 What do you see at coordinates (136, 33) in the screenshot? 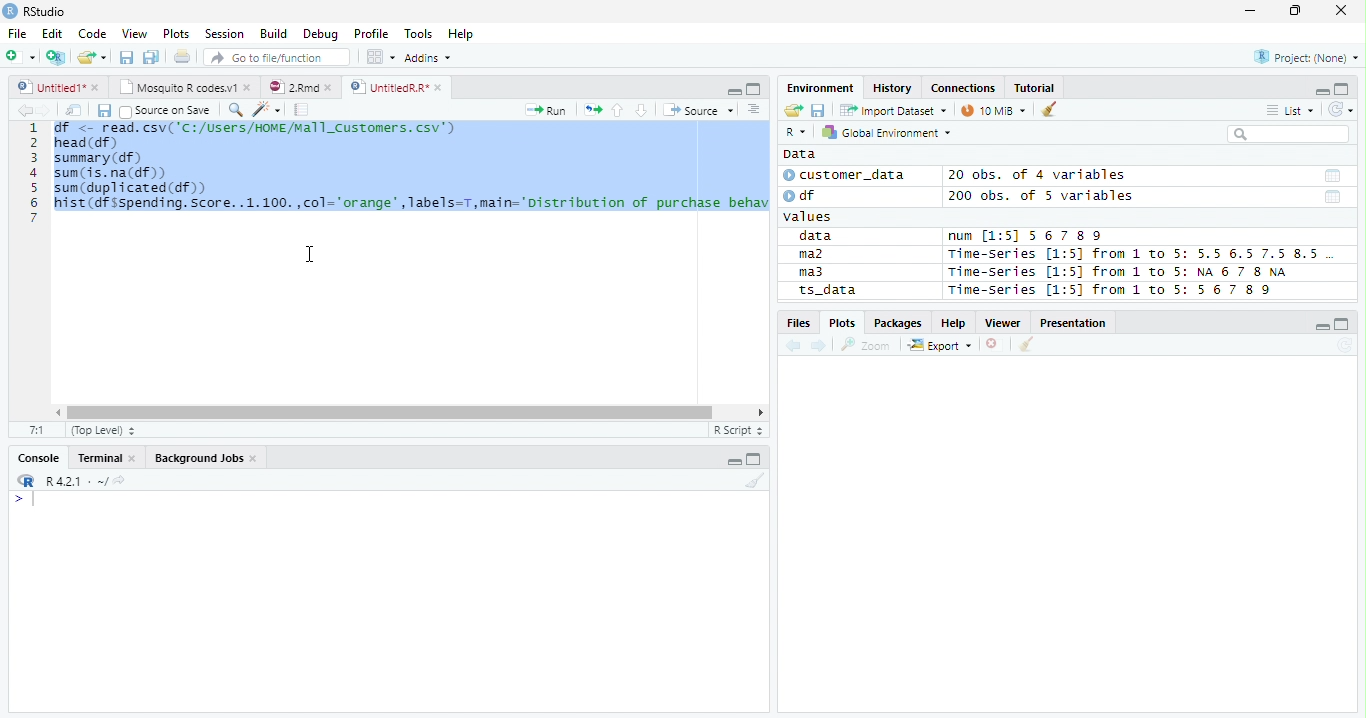
I see `View` at bounding box center [136, 33].